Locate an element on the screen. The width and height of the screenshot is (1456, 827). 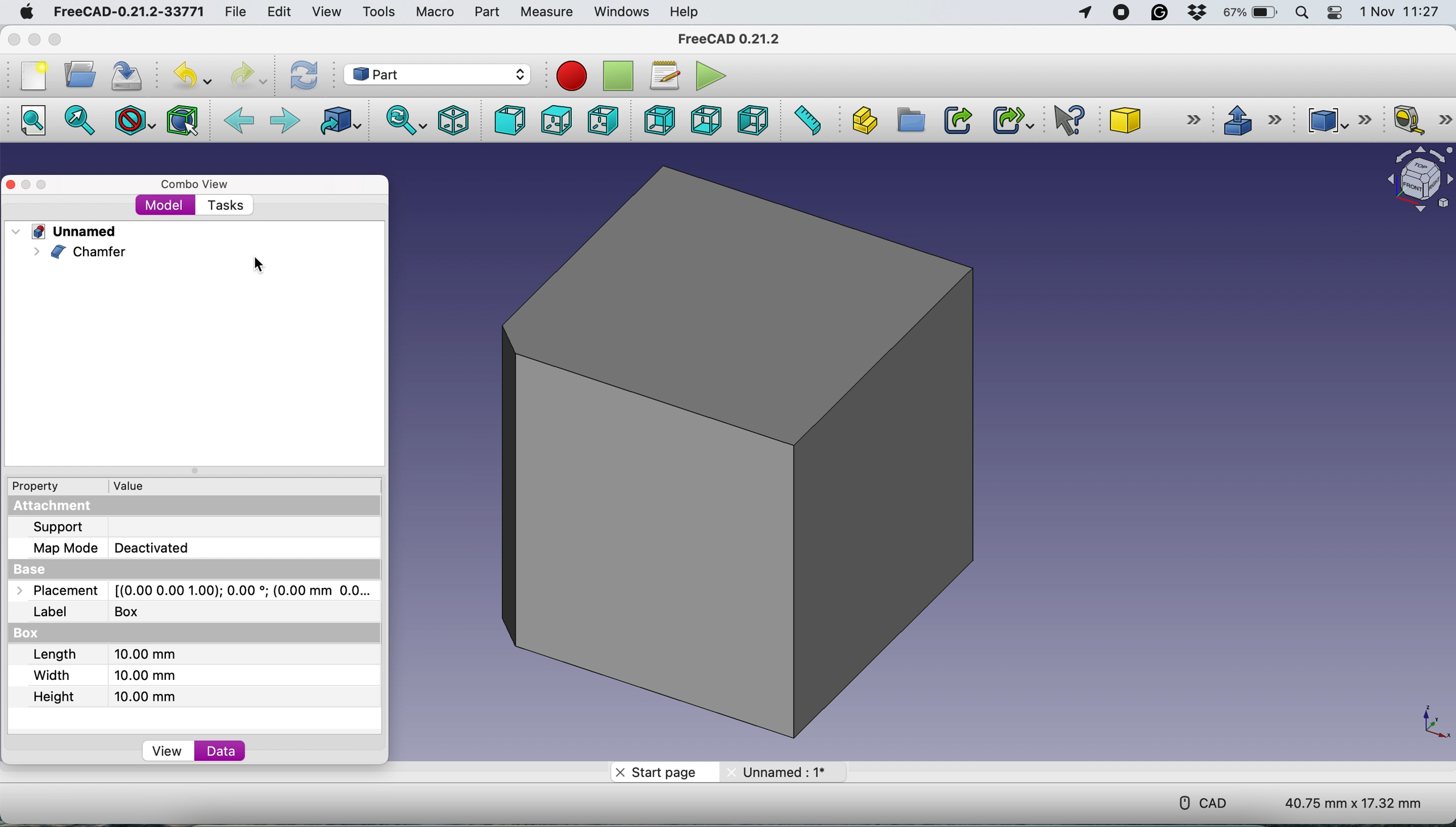
help is located at coordinates (687, 11).